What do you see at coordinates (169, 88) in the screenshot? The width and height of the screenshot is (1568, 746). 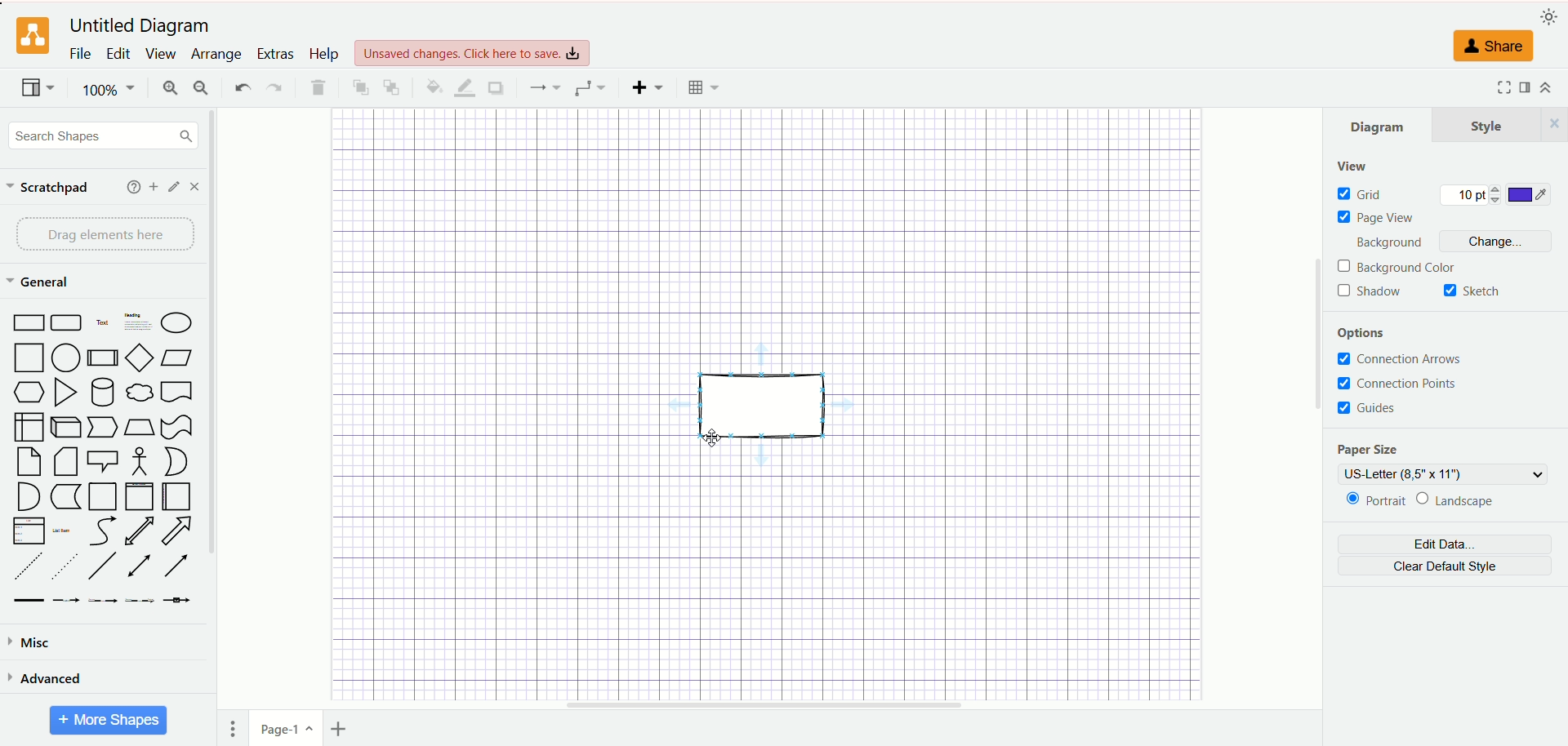 I see `zoom in` at bounding box center [169, 88].